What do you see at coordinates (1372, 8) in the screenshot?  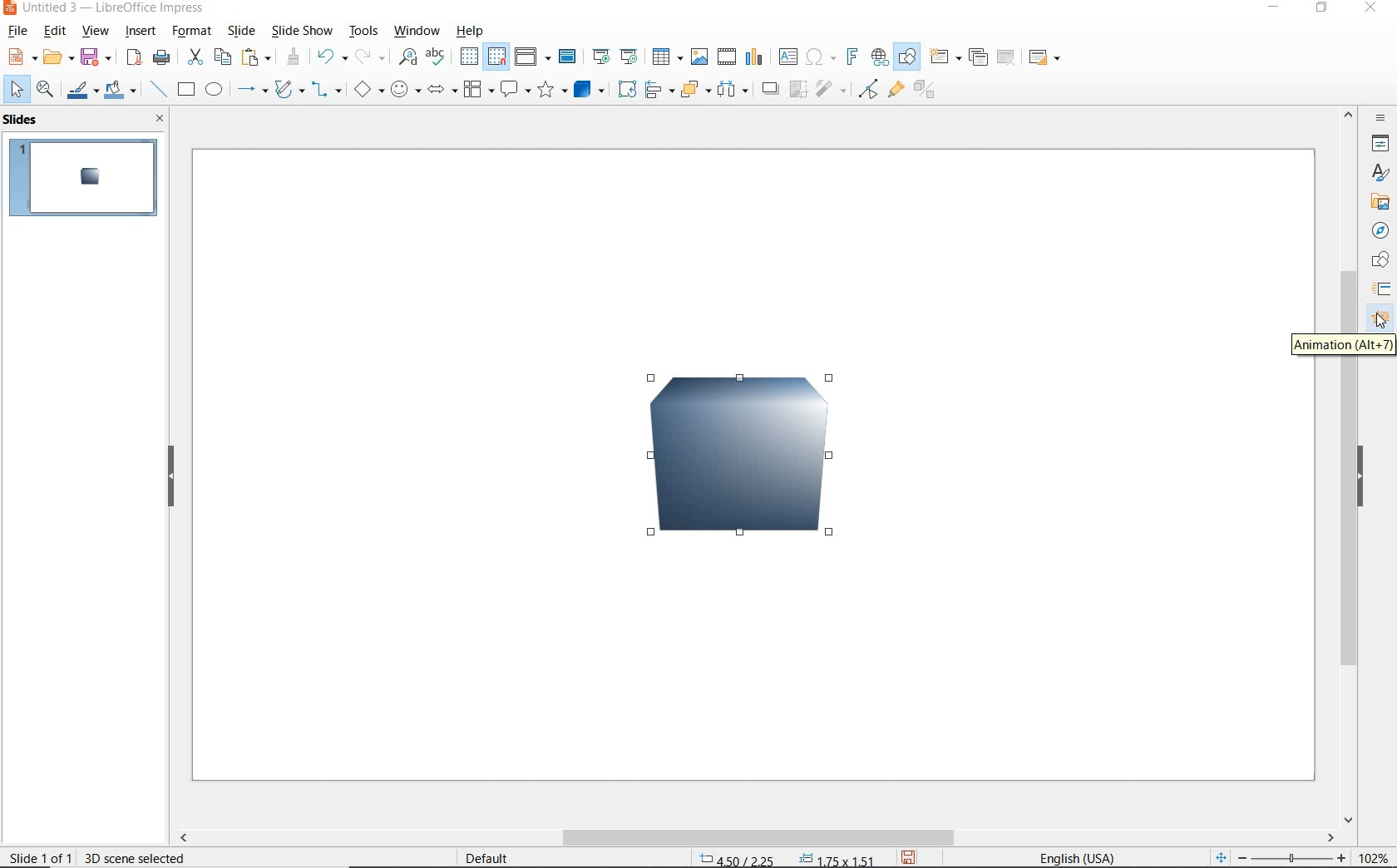 I see `CLOSE` at bounding box center [1372, 8].